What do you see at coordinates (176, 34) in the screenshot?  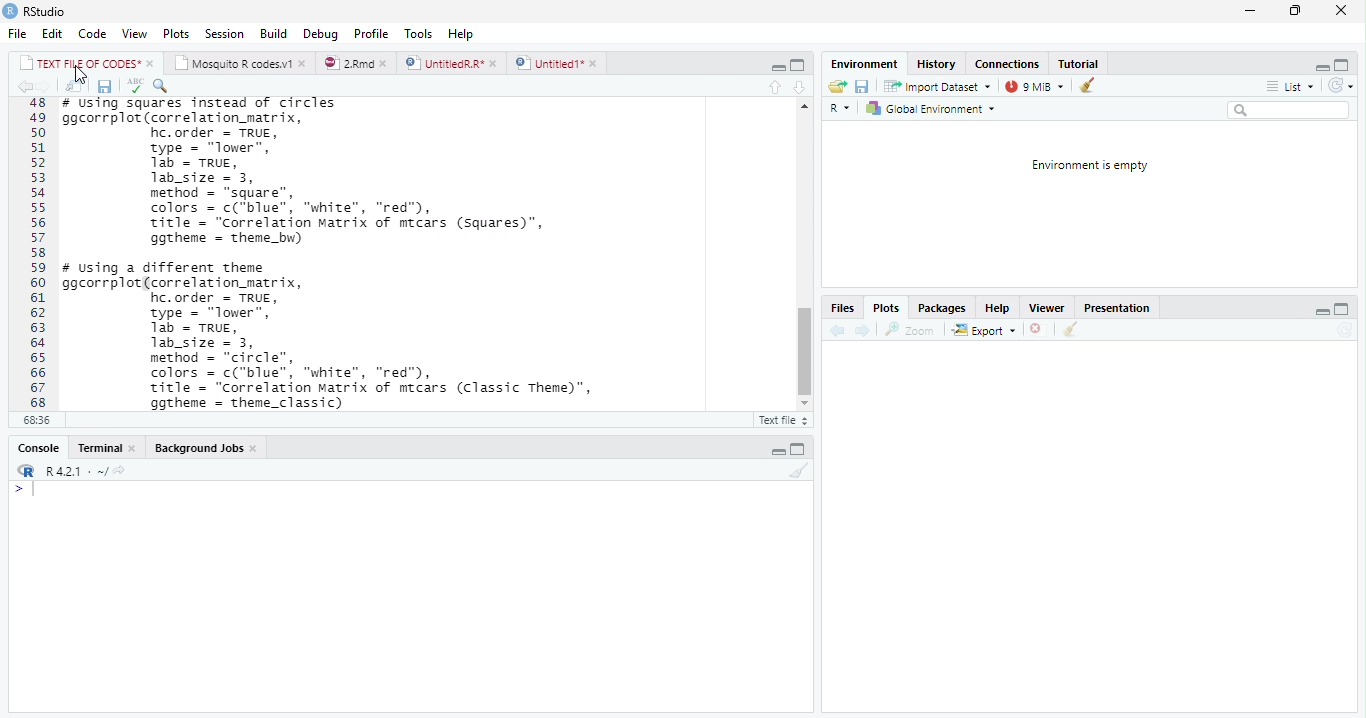 I see `Plots` at bounding box center [176, 34].